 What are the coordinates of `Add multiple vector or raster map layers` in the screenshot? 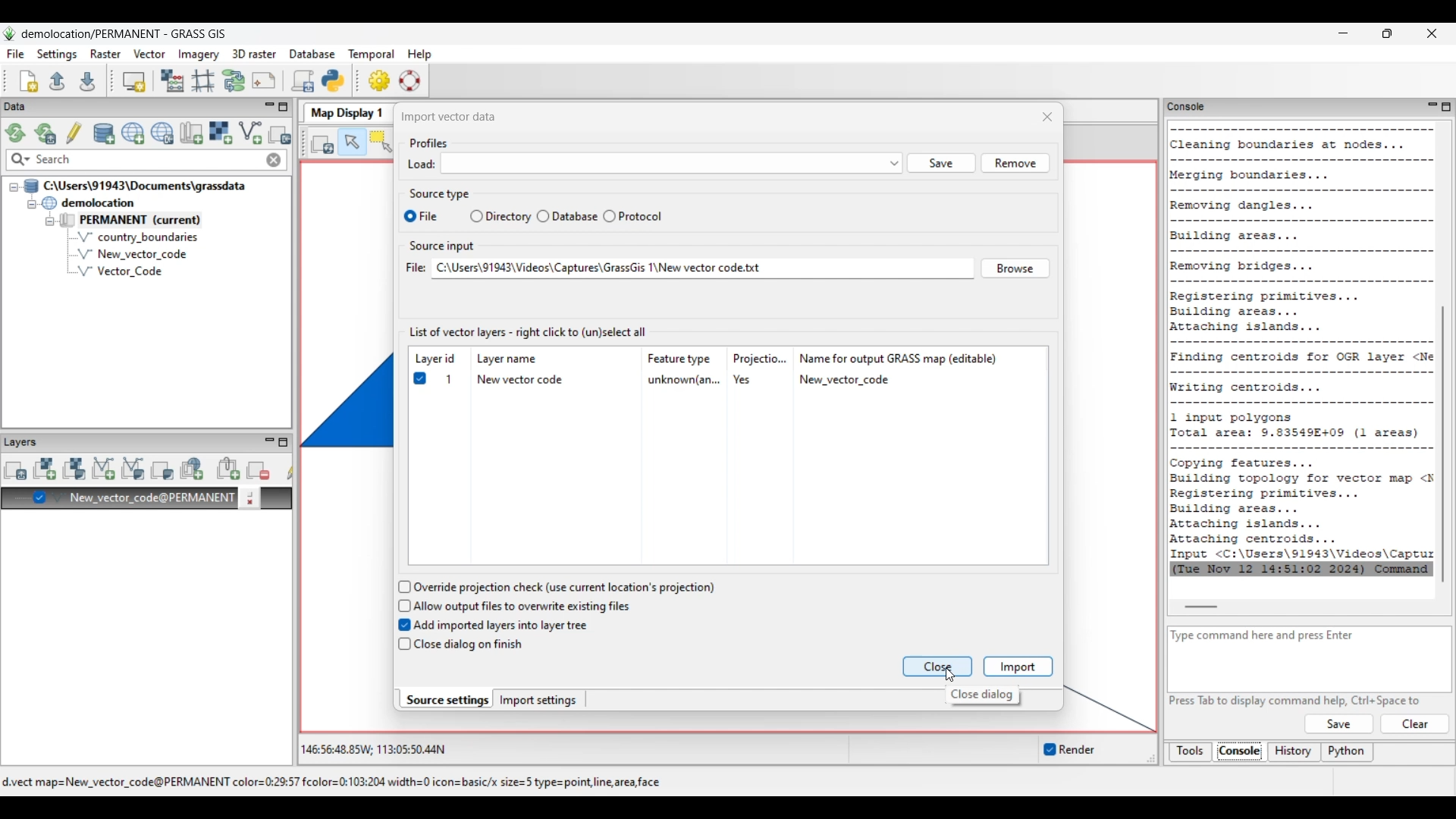 It's located at (15, 470).